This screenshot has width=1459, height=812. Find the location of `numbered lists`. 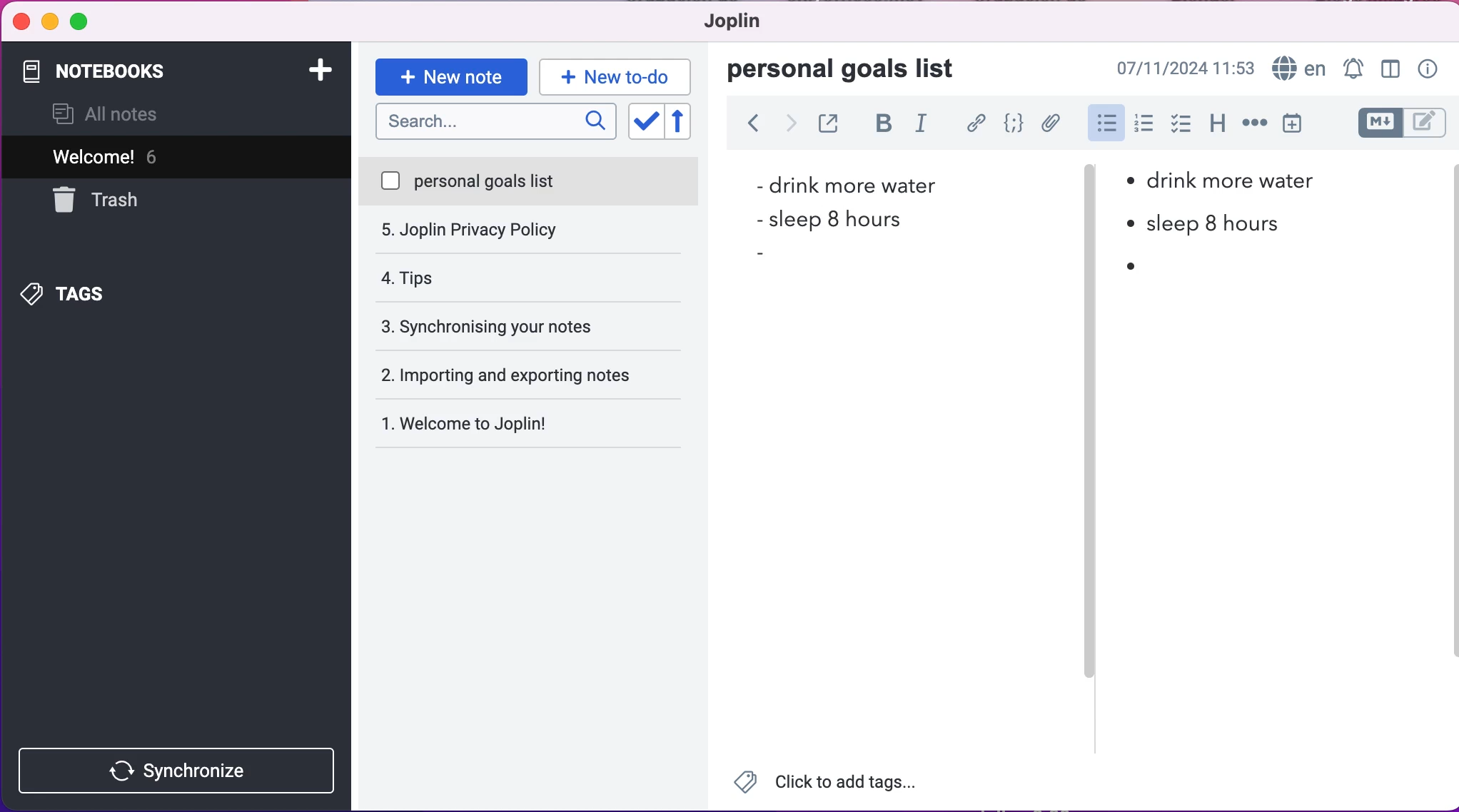

numbered lists is located at coordinates (1144, 126).